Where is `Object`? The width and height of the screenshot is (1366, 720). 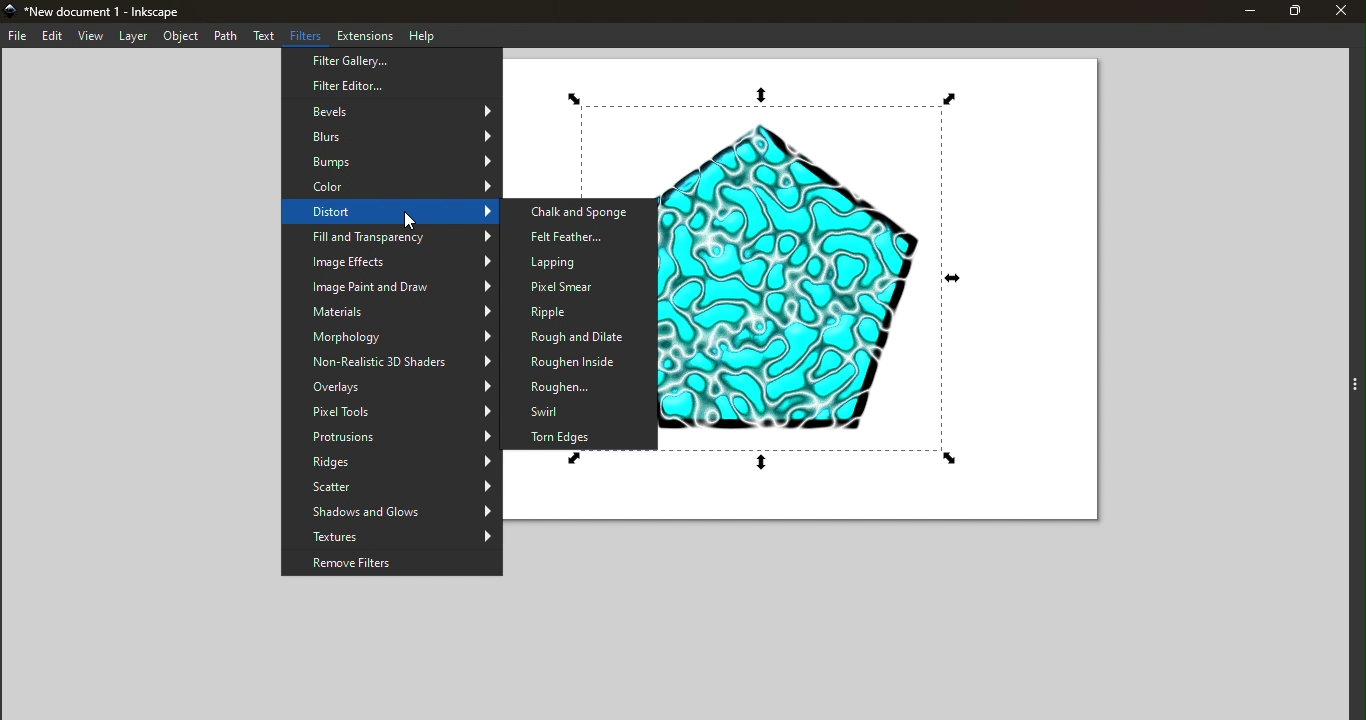 Object is located at coordinates (179, 36).